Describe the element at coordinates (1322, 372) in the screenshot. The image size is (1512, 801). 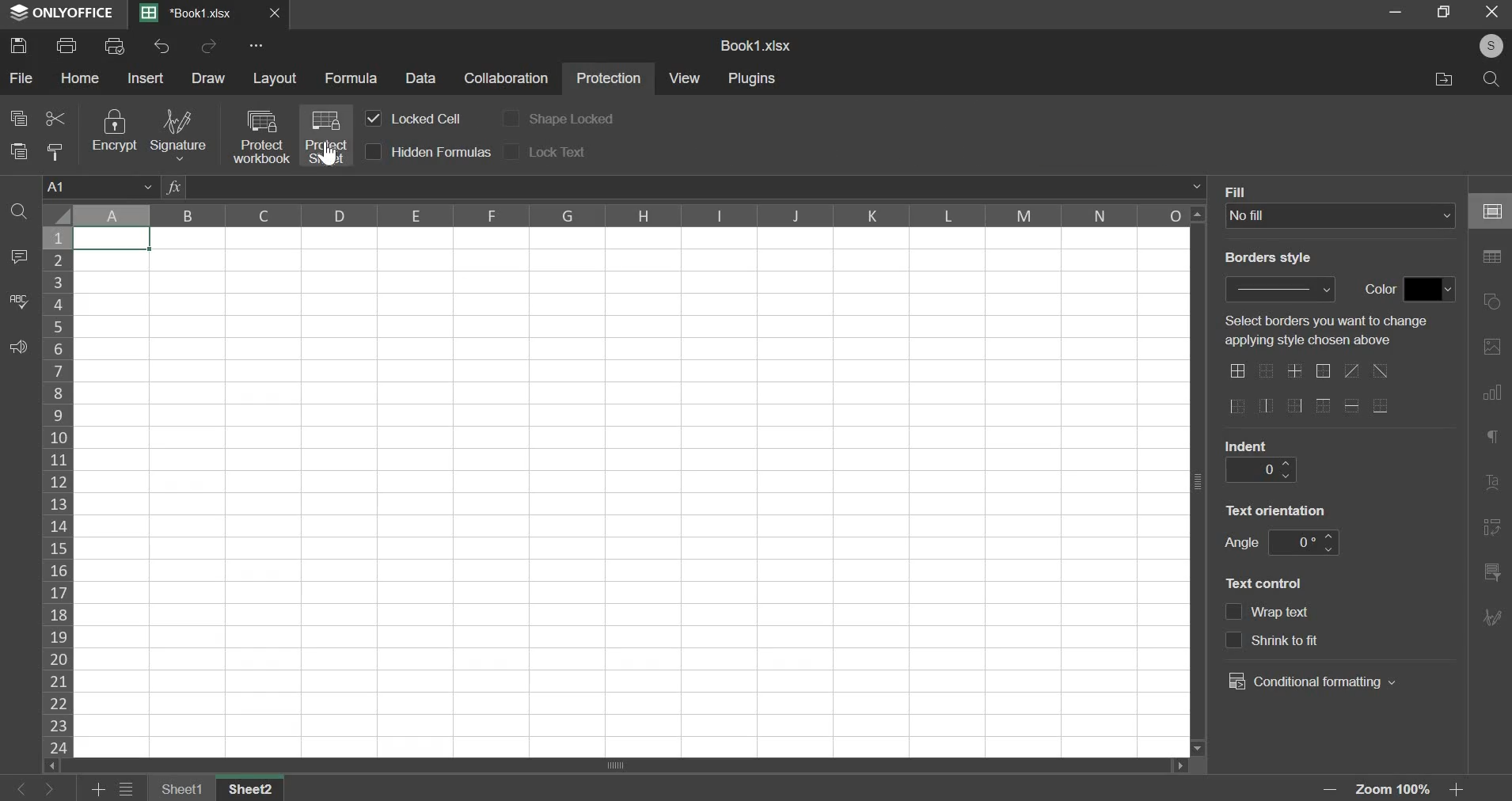
I see `border options` at that location.